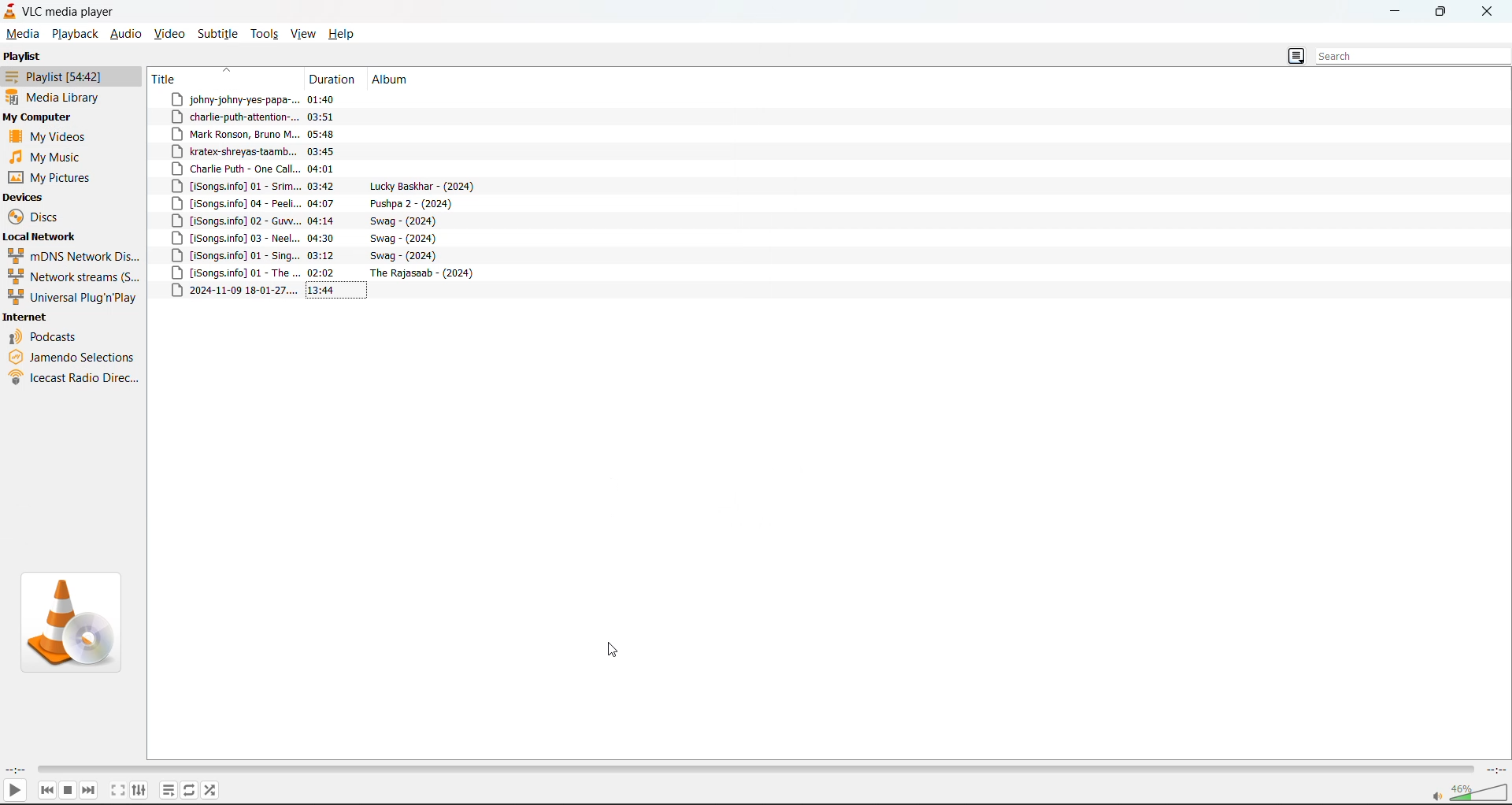 This screenshot has width=1512, height=805. Describe the element at coordinates (1293, 57) in the screenshot. I see `change view` at that location.